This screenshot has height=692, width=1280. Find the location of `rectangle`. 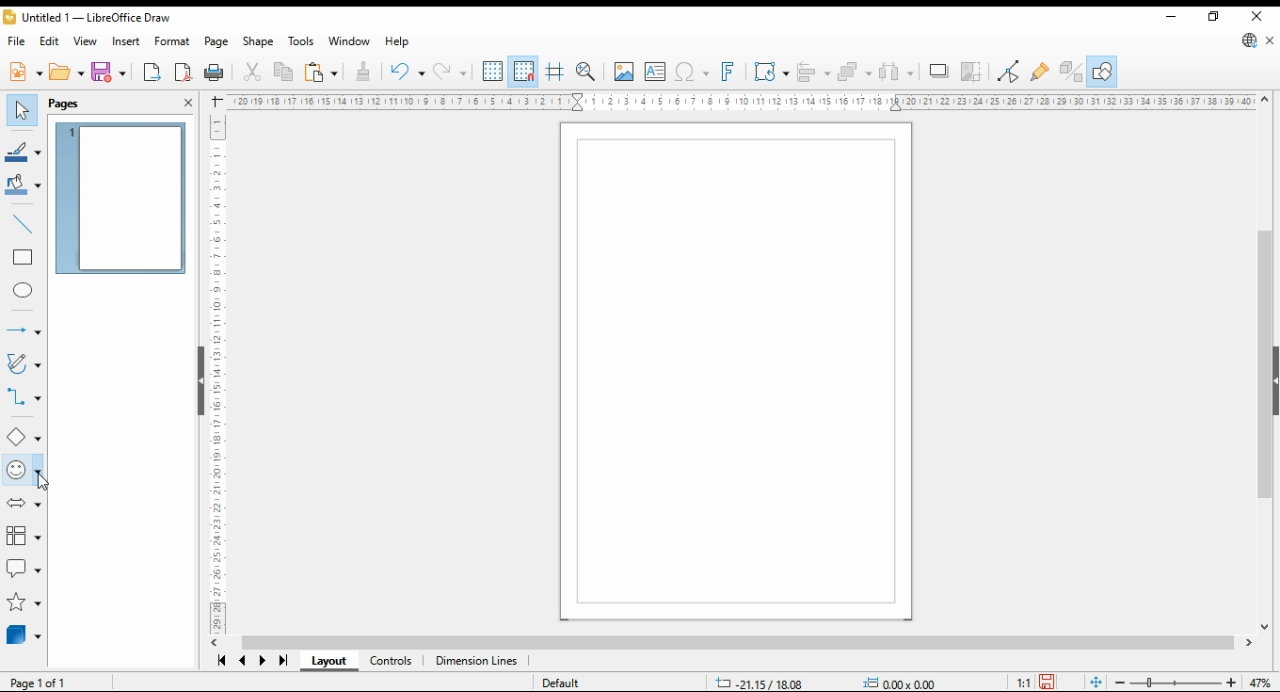

rectangle is located at coordinates (24, 258).